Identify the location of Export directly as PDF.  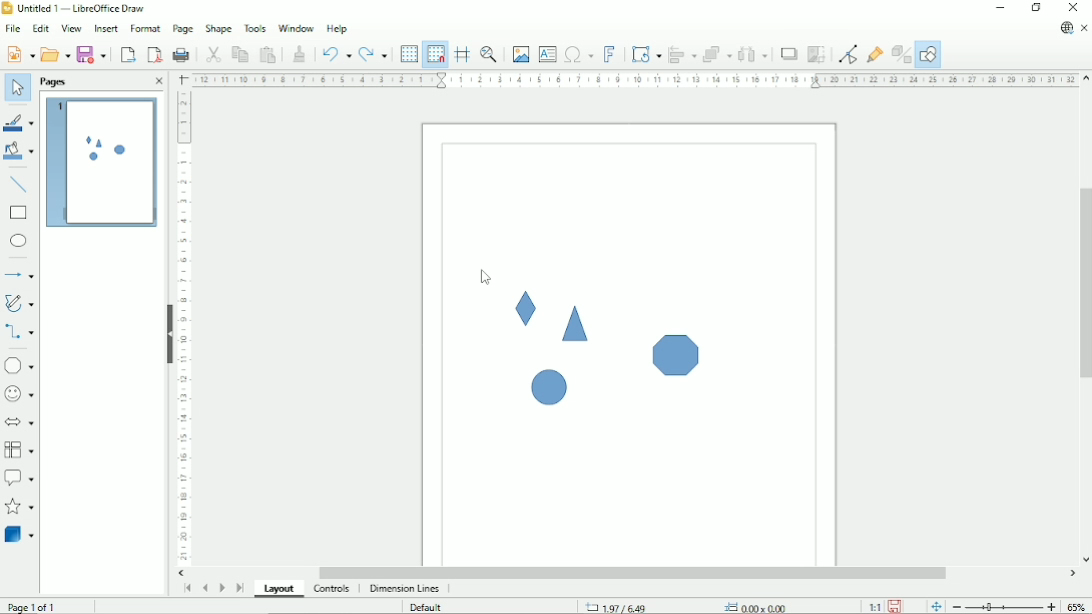
(154, 55).